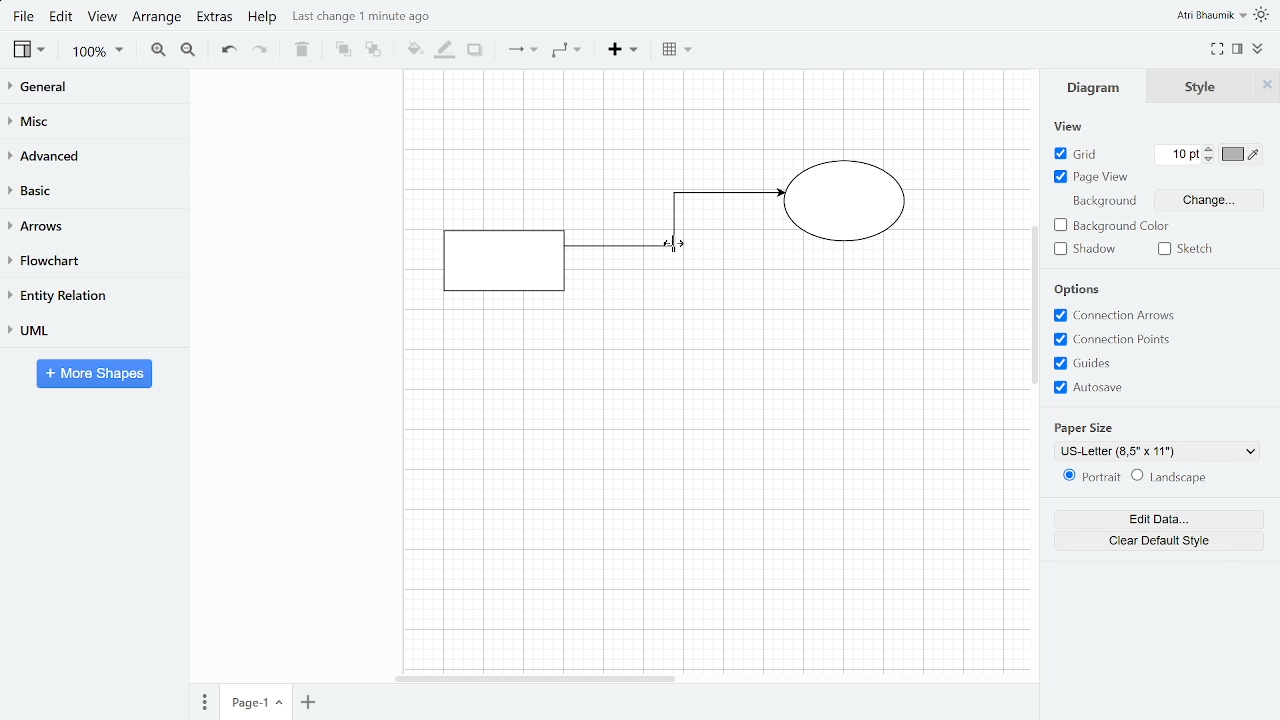  I want to click on view, so click(1065, 125).